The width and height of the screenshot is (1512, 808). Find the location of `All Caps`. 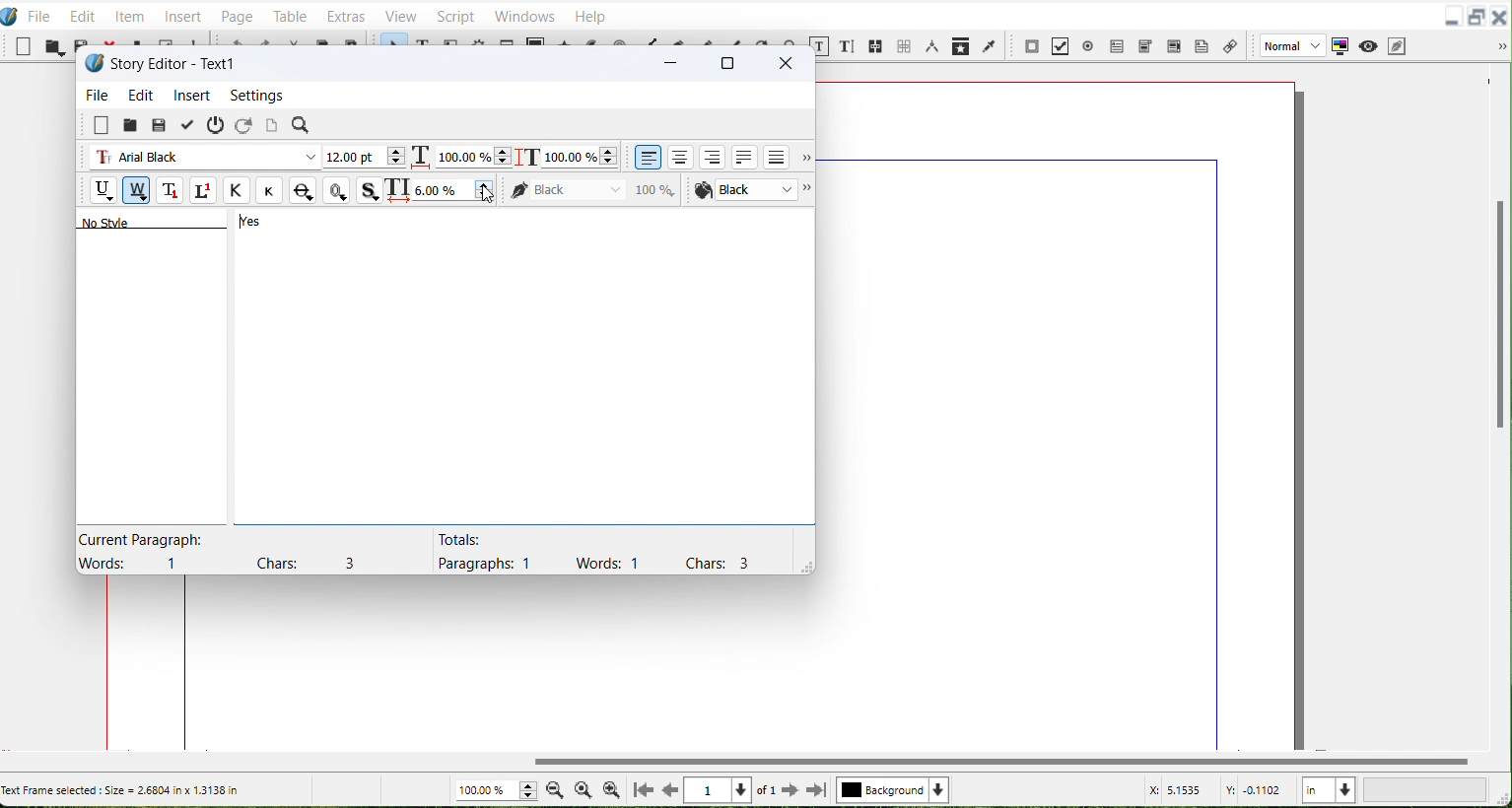

All Caps is located at coordinates (237, 191).